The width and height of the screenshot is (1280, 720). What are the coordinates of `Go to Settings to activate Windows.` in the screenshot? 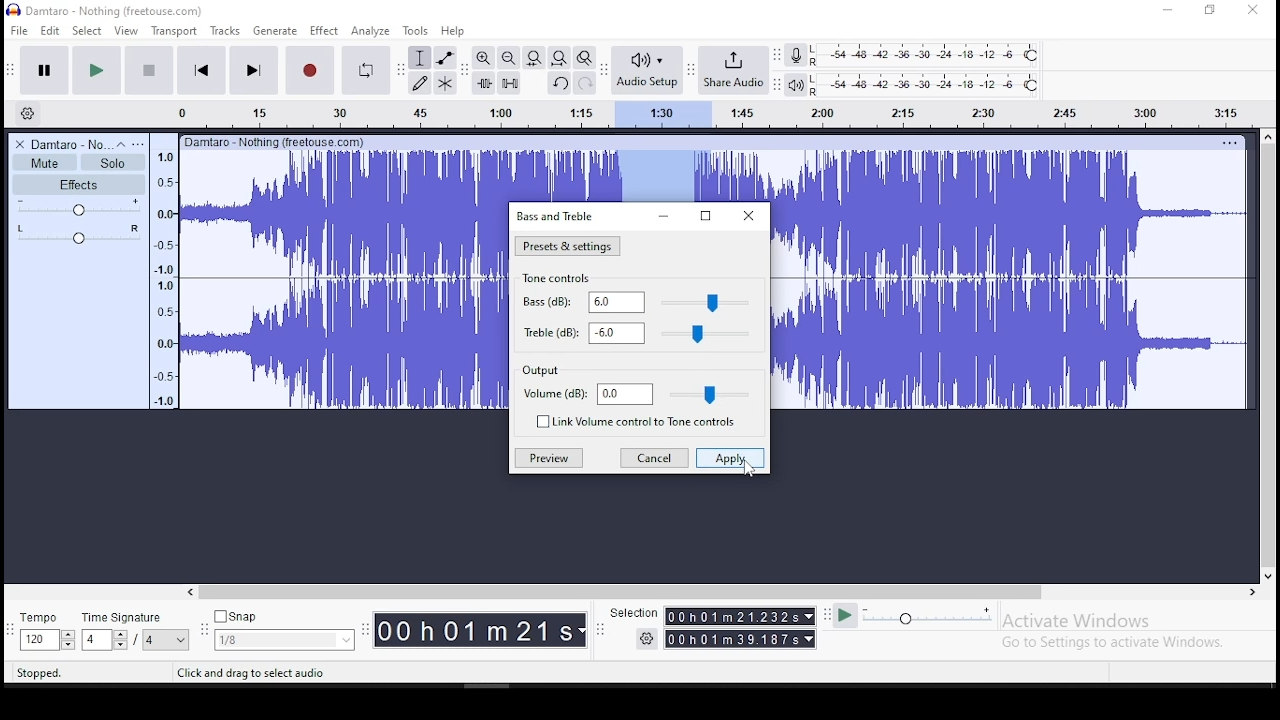 It's located at (1116, 642).